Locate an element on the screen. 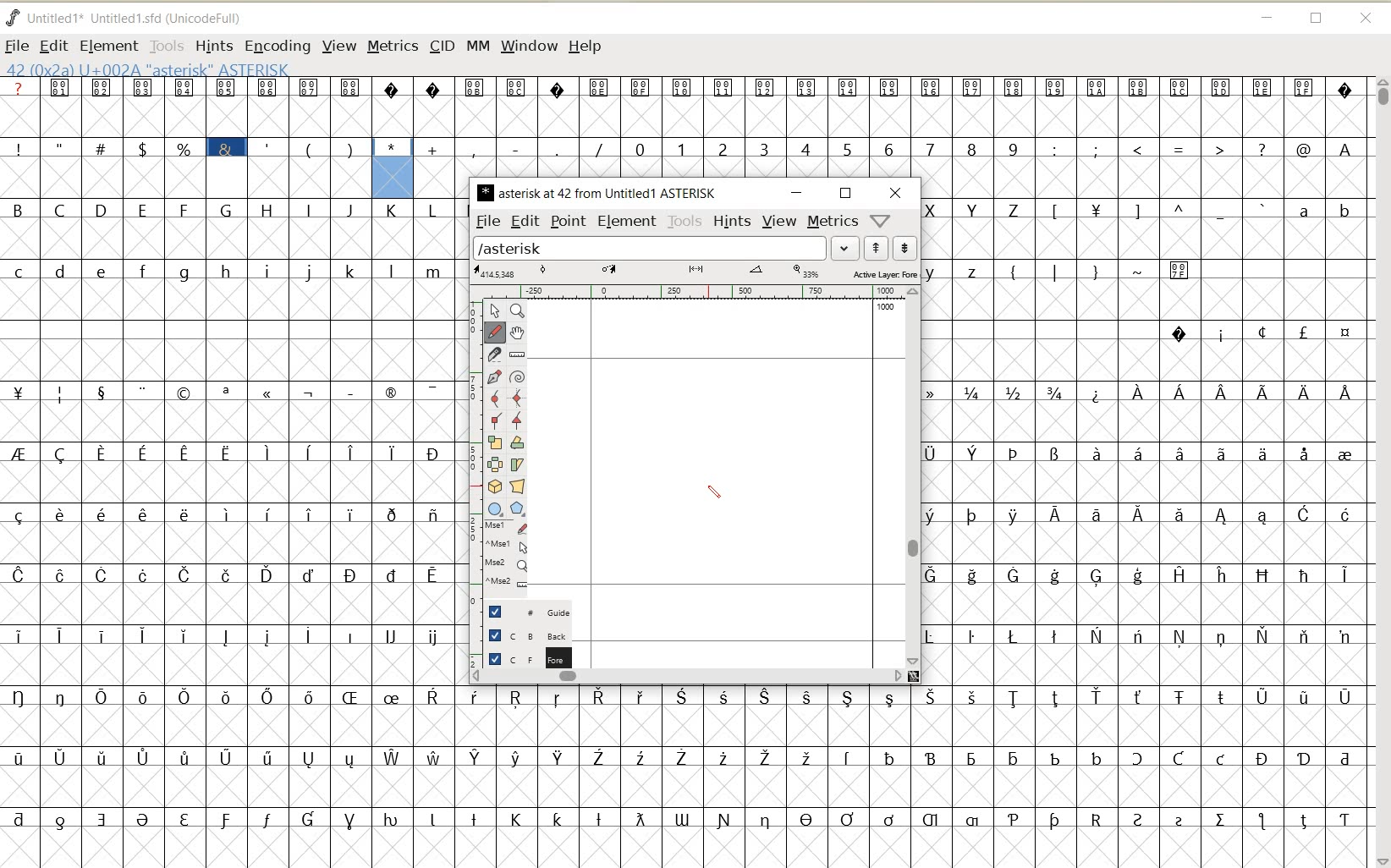 This screenshot has width=1391, height=868. ELEMENT is located at coordinates (629, 222).